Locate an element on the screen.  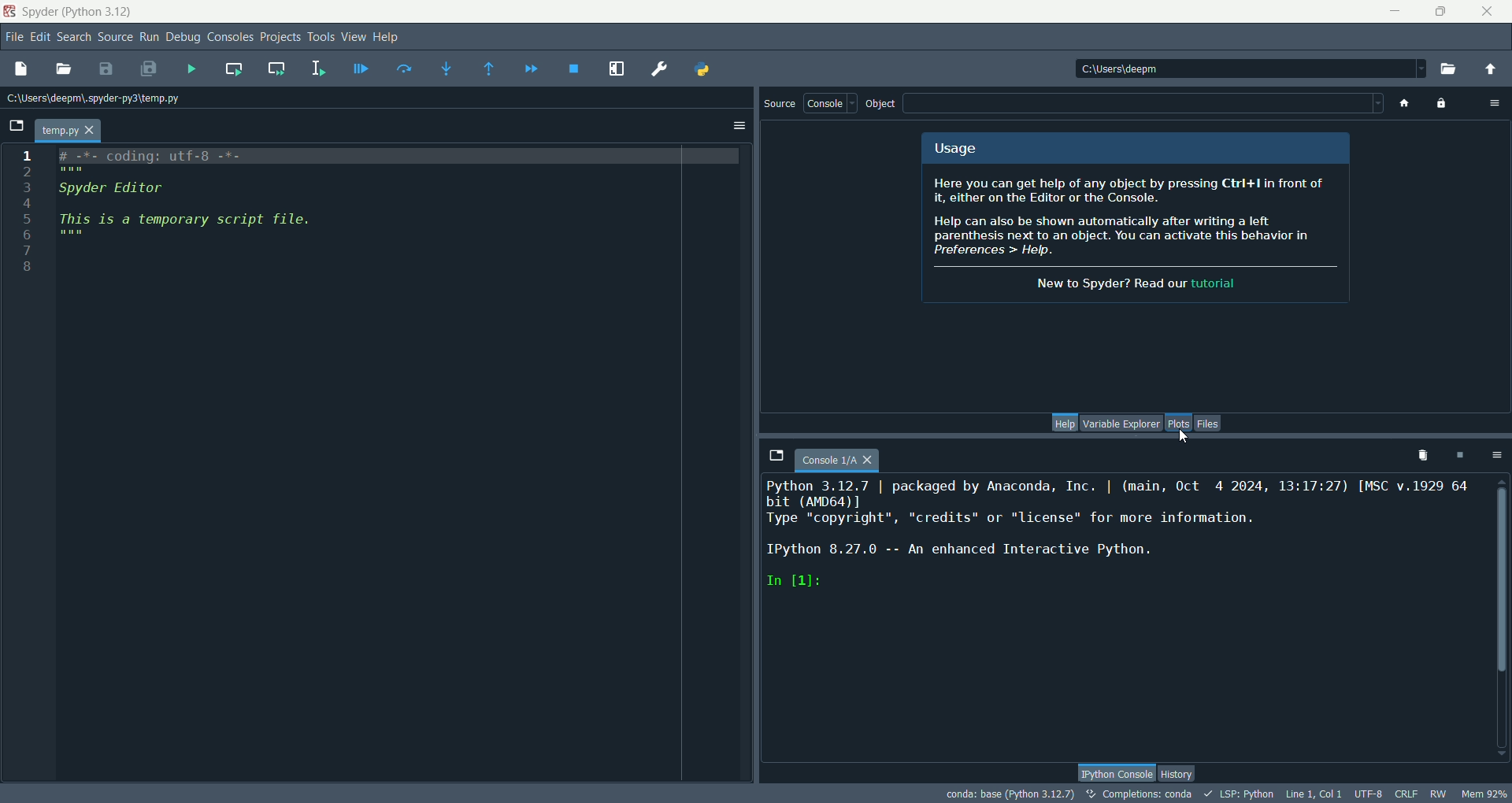
minimize is located at coordinates (1393, 13).